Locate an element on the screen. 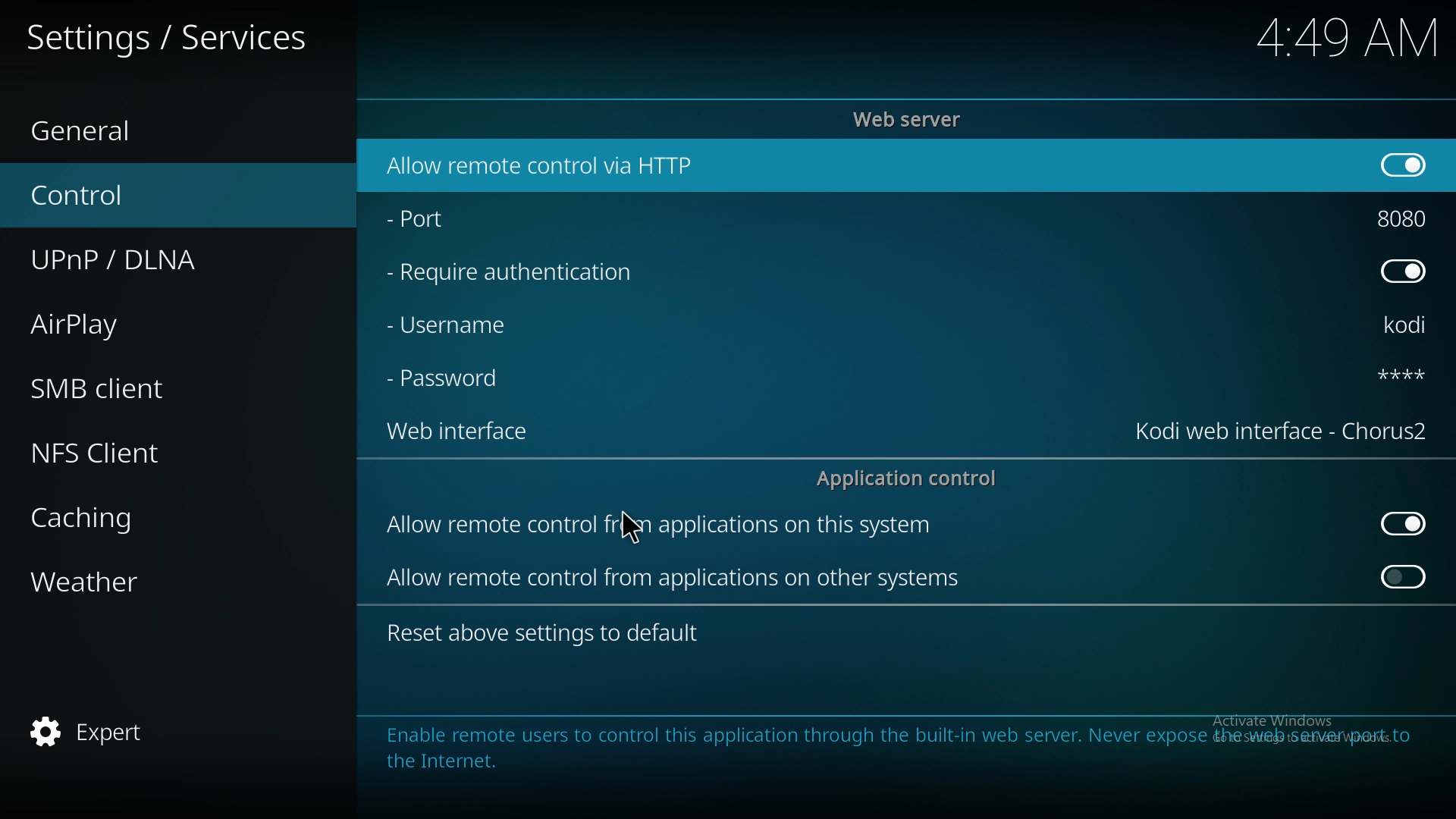  kodi is located at coordinates (1410, 325).